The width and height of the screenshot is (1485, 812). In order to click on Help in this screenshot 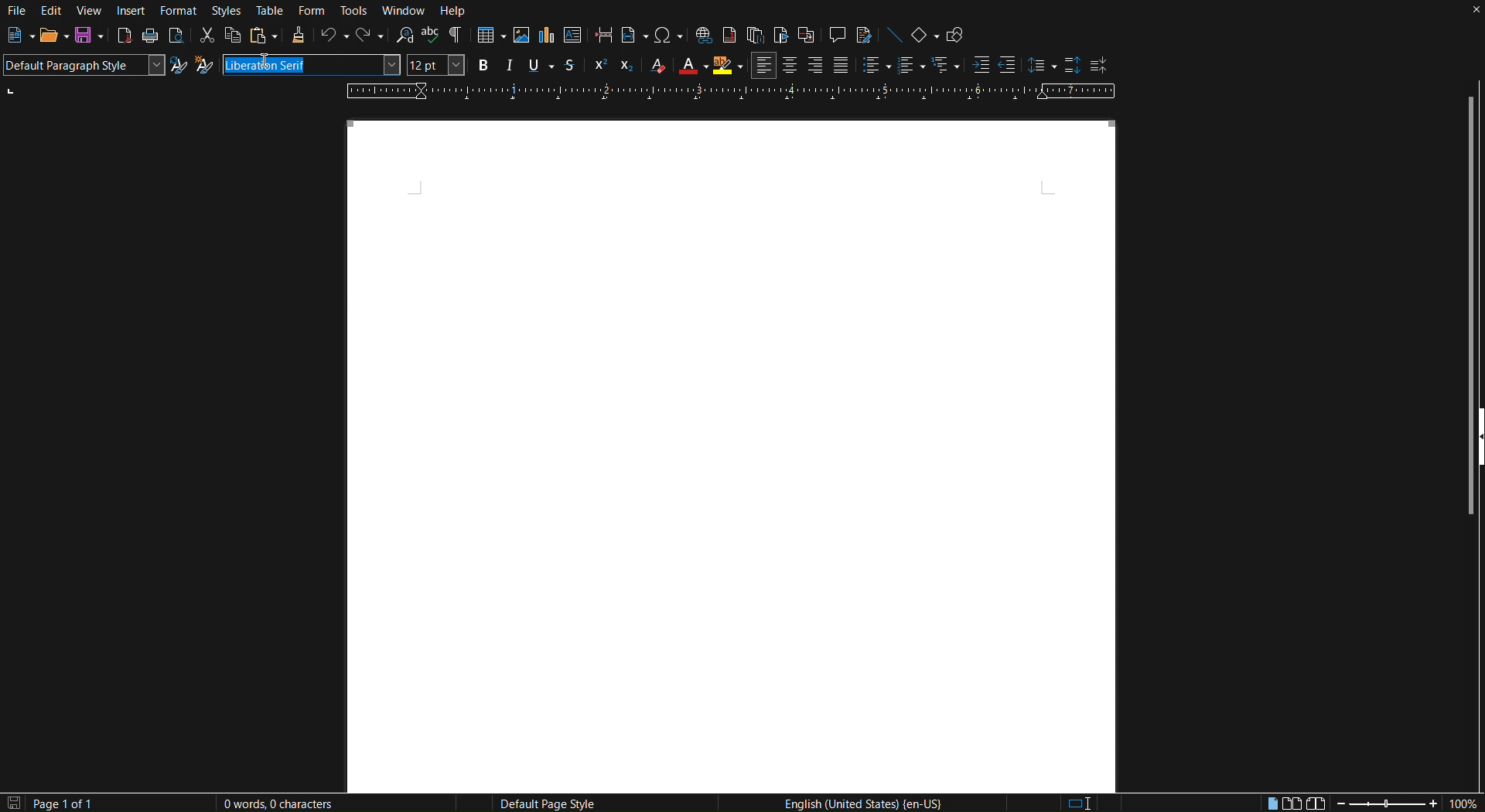, I will do `click(457, 12)`.